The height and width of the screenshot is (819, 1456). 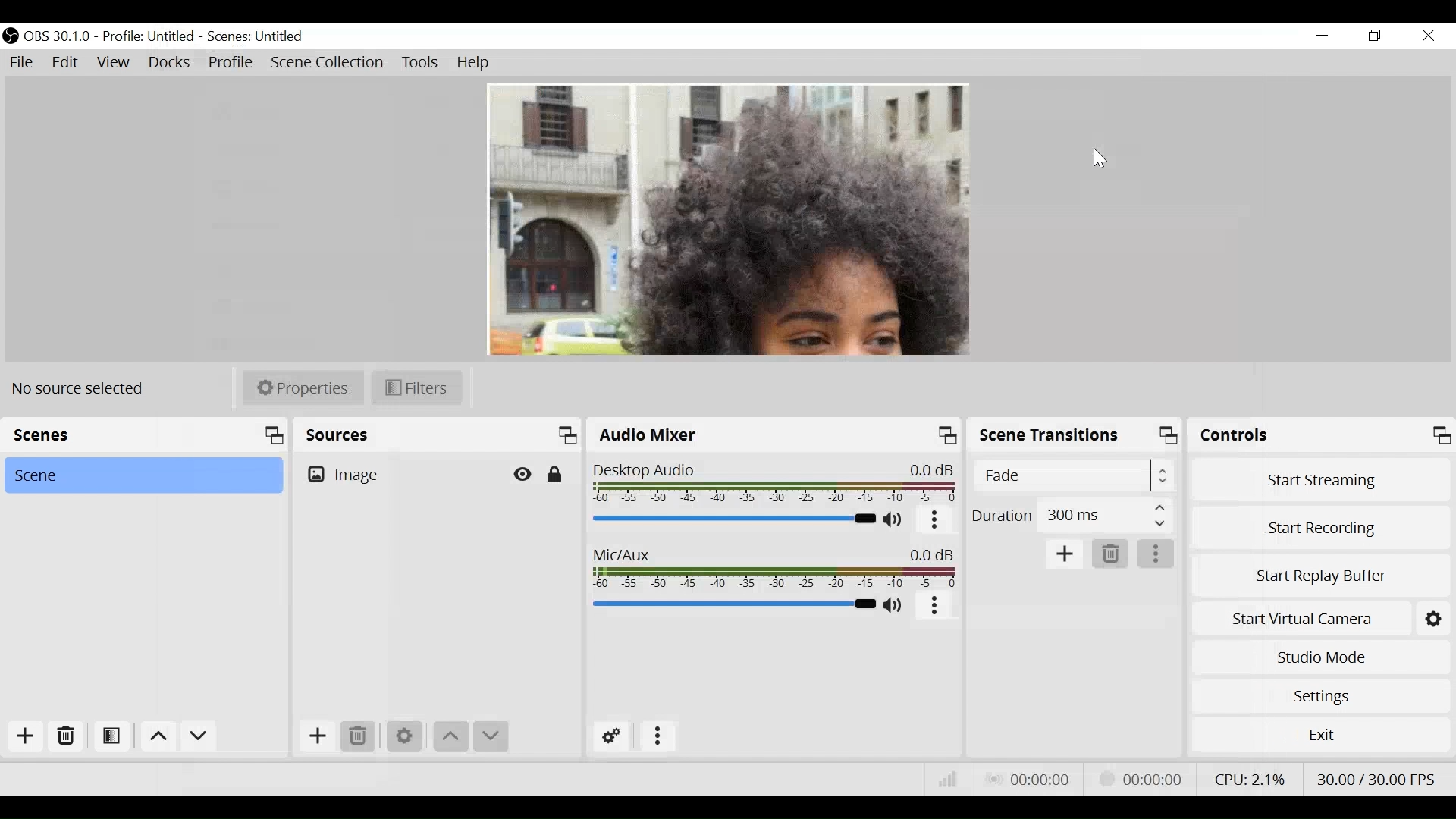 I want to click on Source, so click(x=348, y=475).